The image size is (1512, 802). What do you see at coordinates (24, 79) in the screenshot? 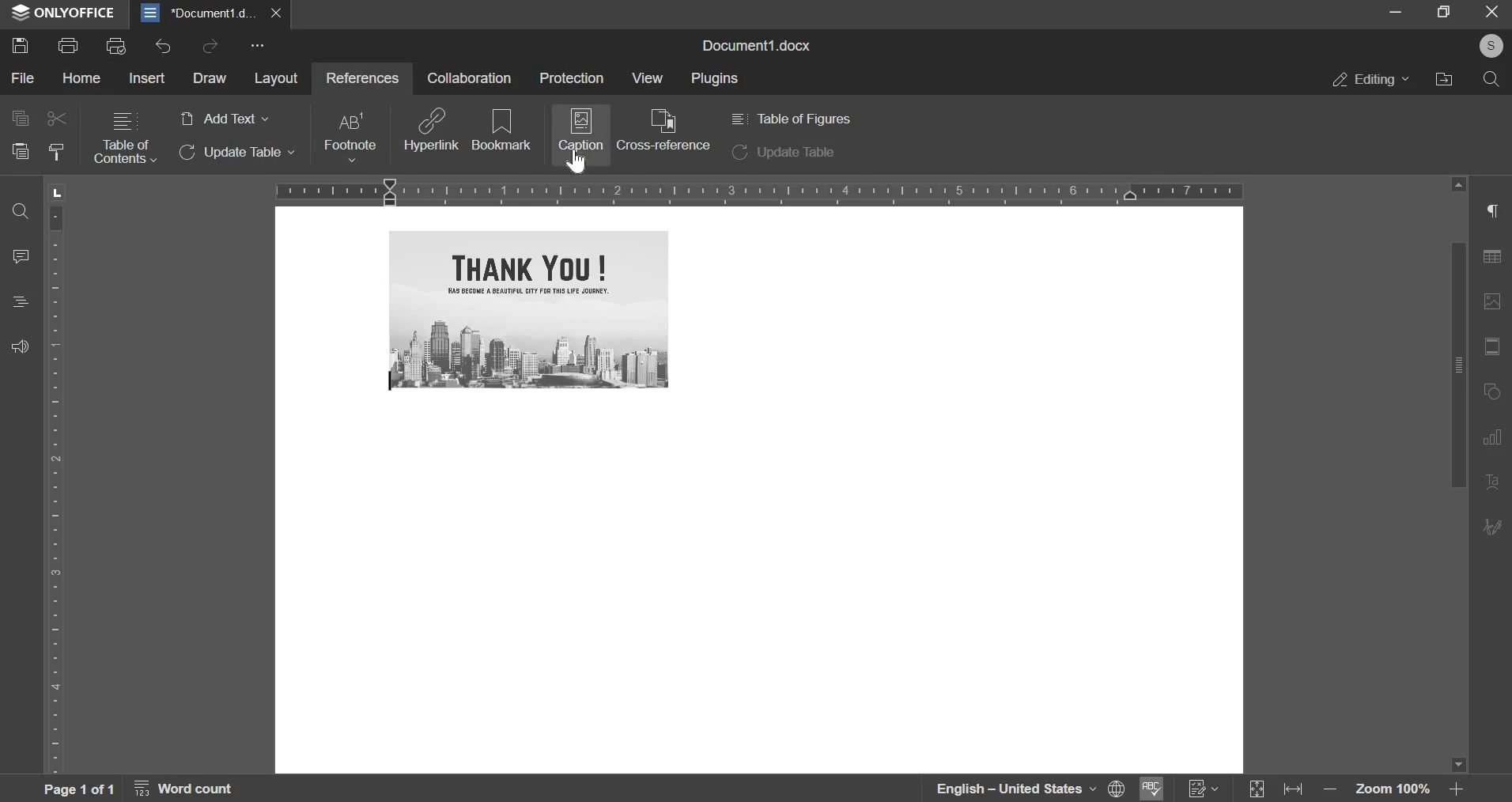
I see `file` at bounding box center [24, 79].